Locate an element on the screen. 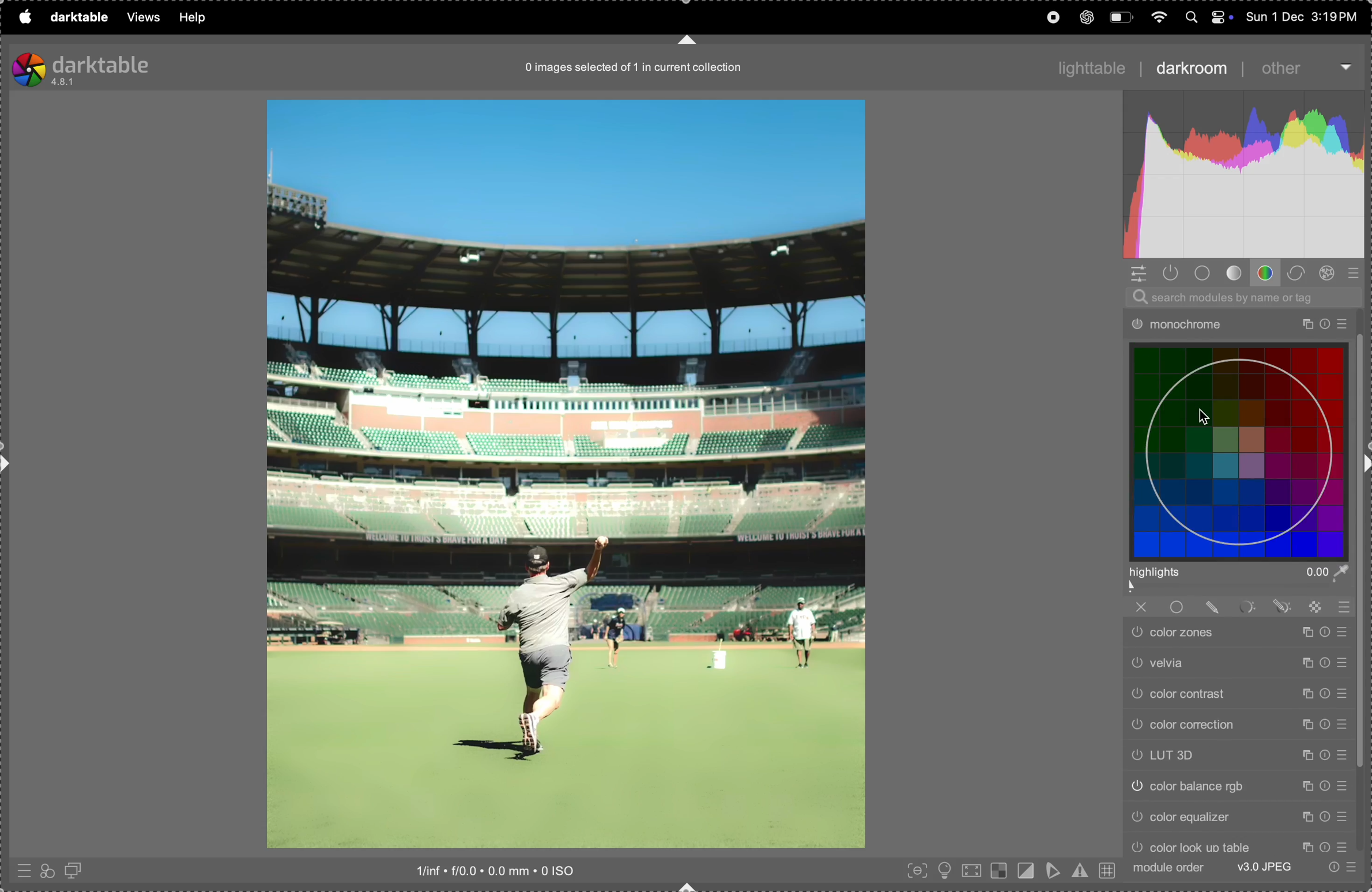 The image size is (1372, 892). wifi is located at coordinates (1160, 18).